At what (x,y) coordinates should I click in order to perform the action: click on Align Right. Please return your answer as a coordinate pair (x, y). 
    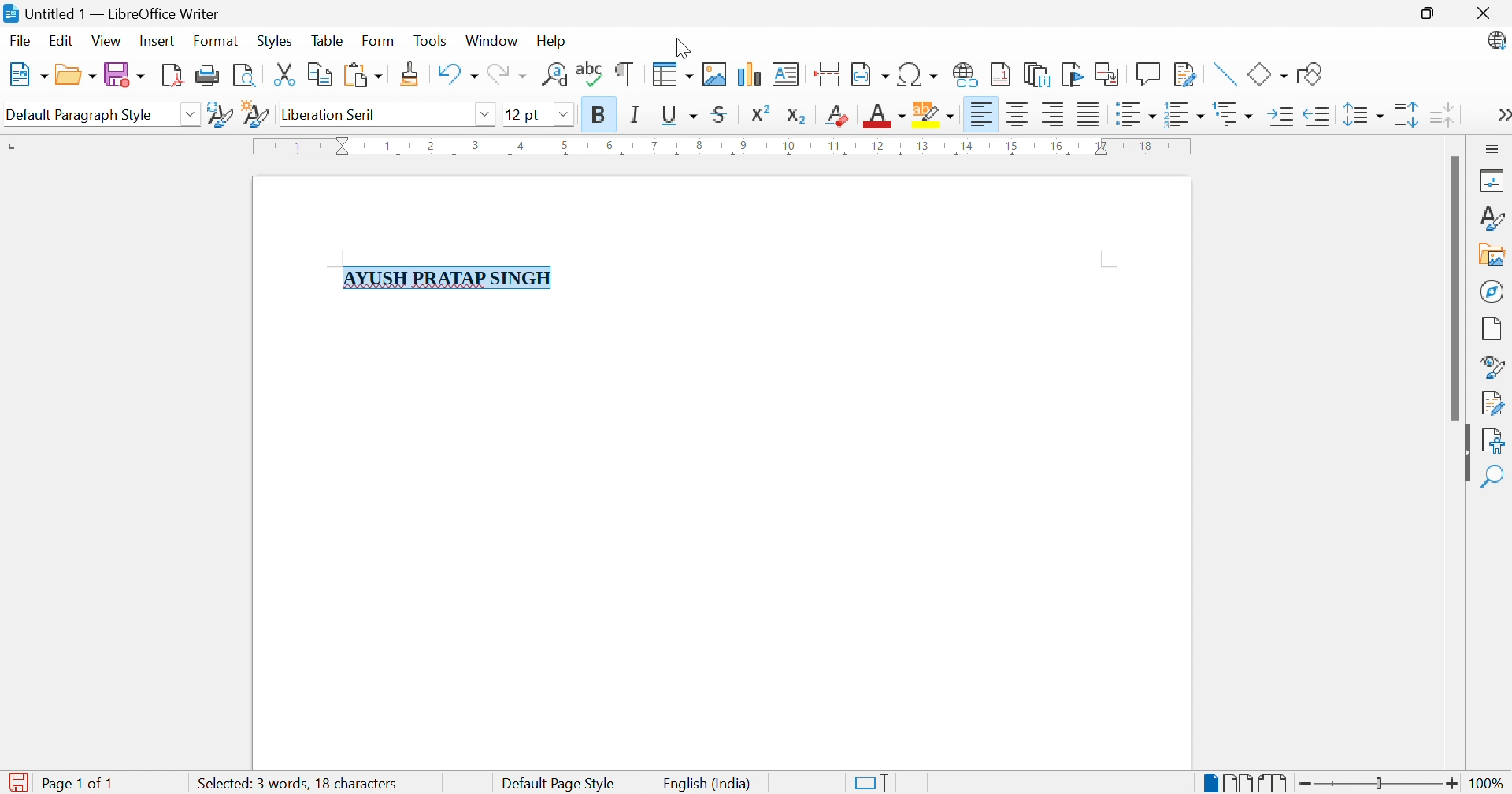
    Looking at the image, I should click on (1053, 115).